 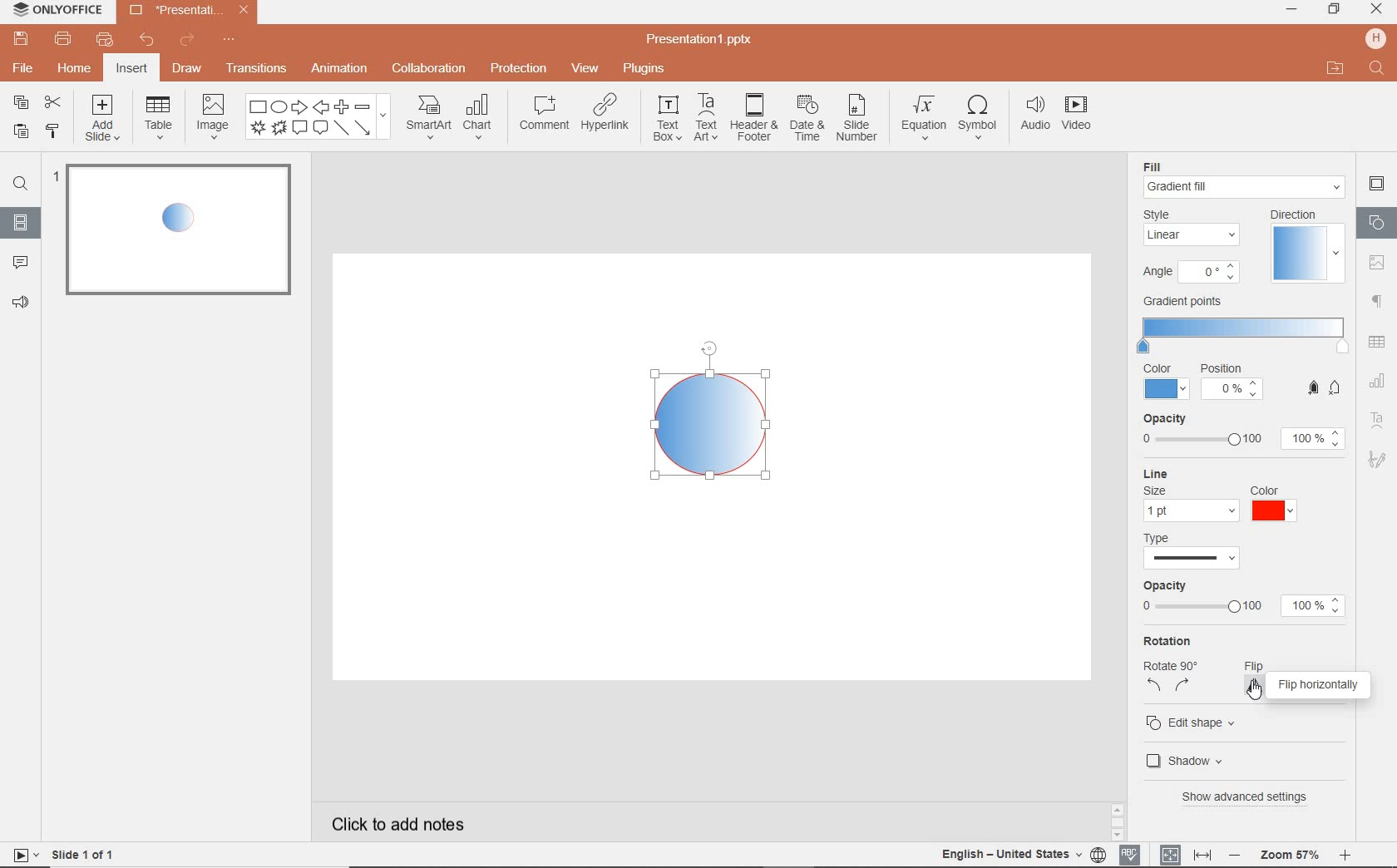 I want to click on text input, so click(x=1377, y=70).